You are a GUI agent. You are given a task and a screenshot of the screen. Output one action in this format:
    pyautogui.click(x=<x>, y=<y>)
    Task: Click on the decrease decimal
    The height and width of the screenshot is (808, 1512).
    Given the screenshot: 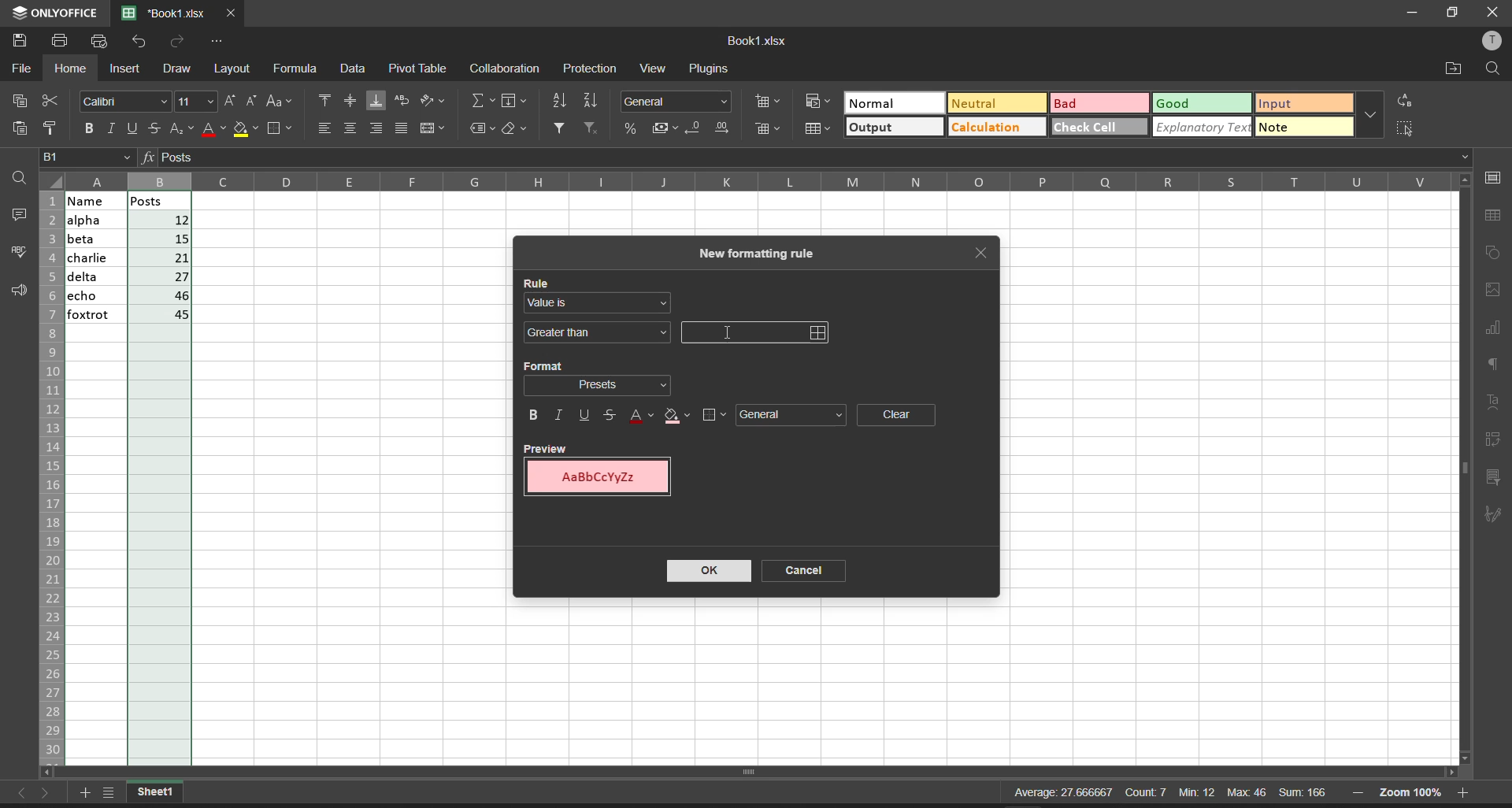 What is the action you would take?
    pyautogui.click(x=690, y=127)
    